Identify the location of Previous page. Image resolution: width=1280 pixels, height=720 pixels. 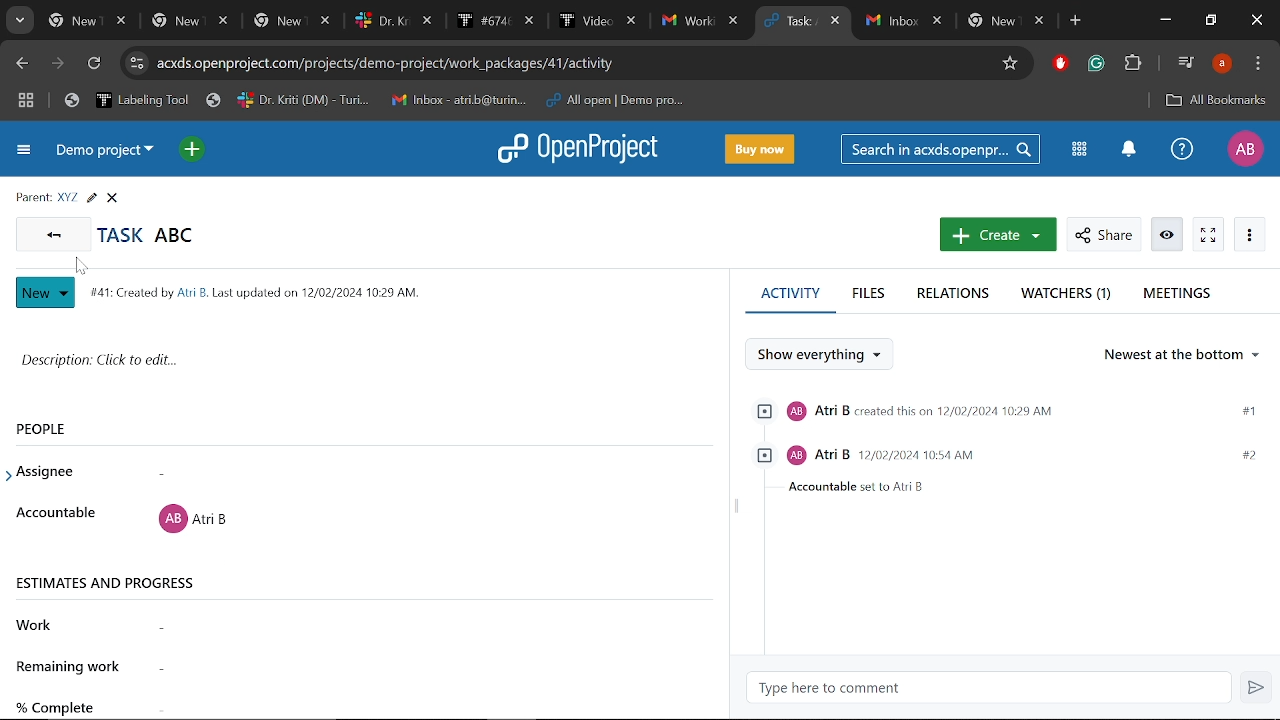
(23, 64).